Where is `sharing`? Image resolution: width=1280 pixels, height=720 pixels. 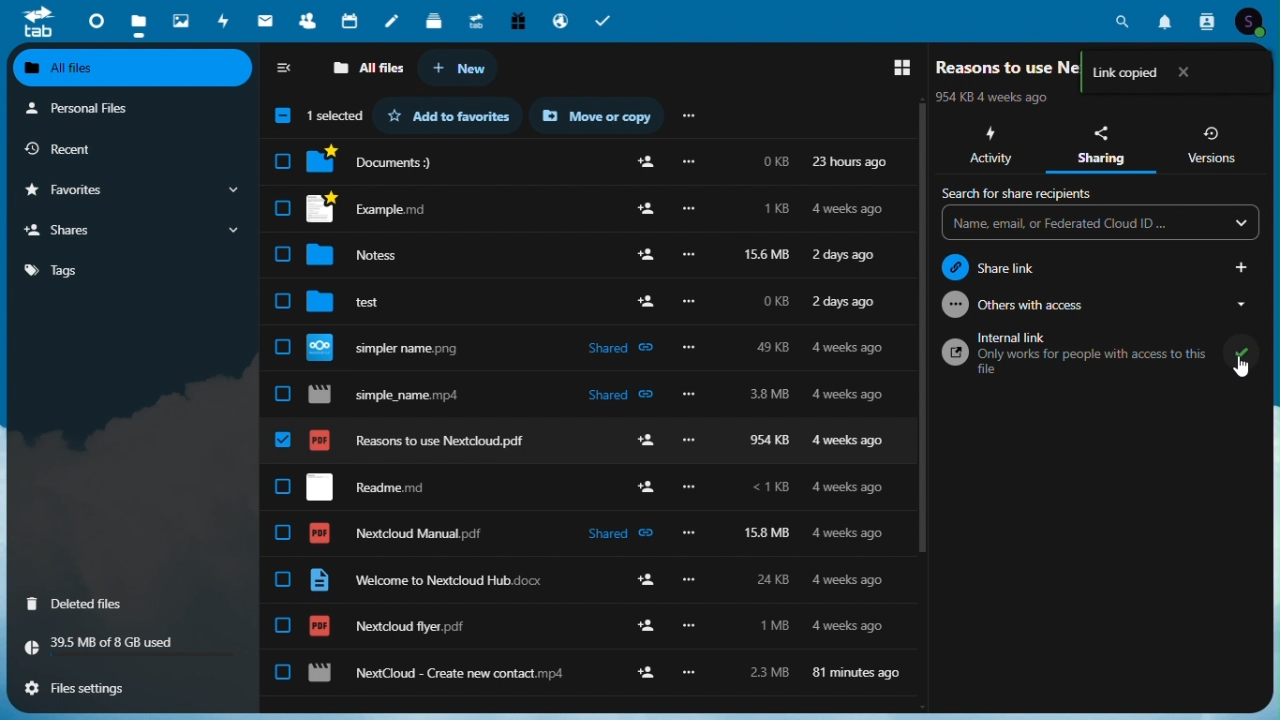
sharing is located at coordinates (1098, 146).